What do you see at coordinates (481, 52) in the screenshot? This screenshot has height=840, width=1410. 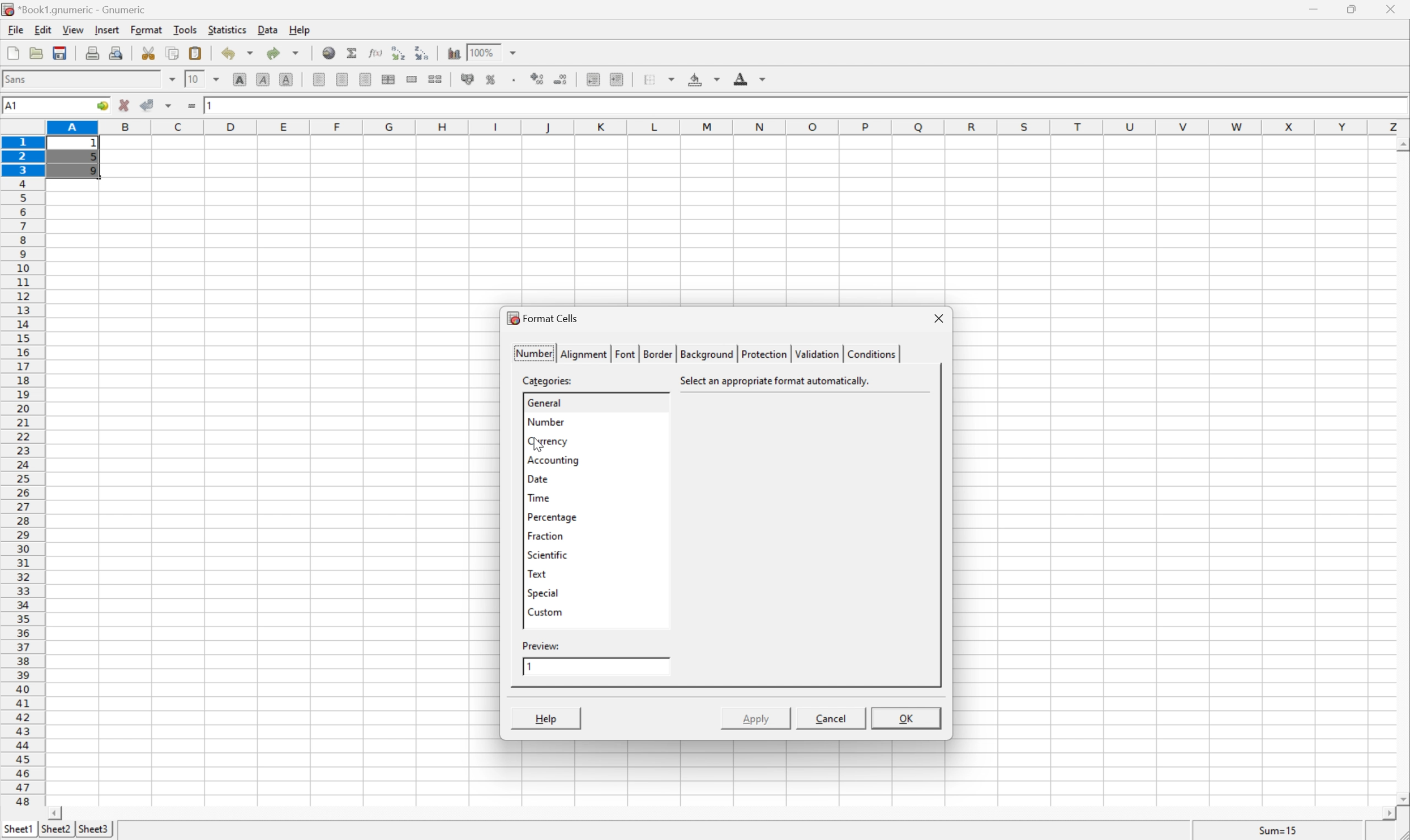 I see `100%` at bounding box center [481, 52].